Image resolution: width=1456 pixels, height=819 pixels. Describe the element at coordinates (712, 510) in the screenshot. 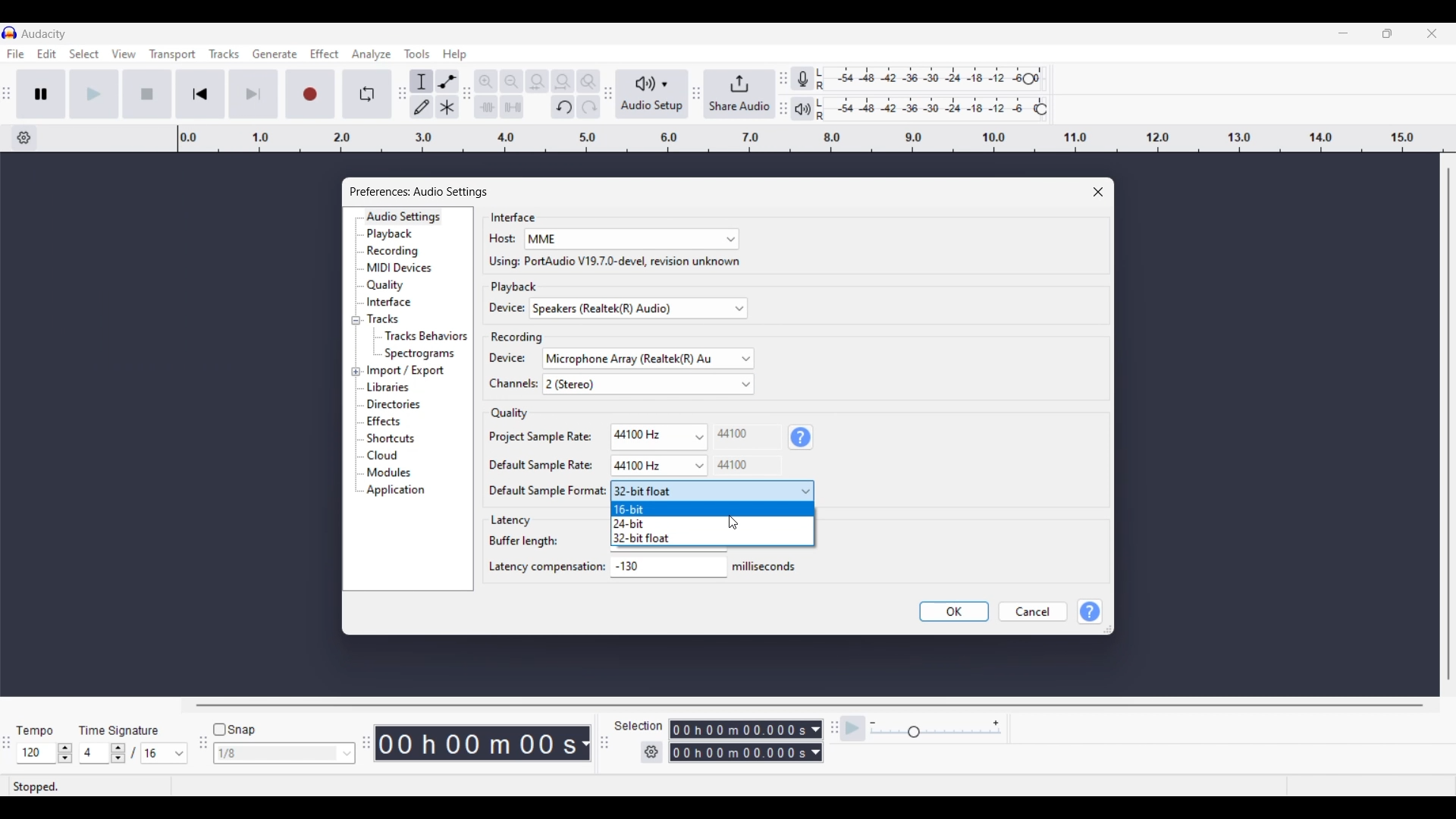

I see `16 bit` at that location.